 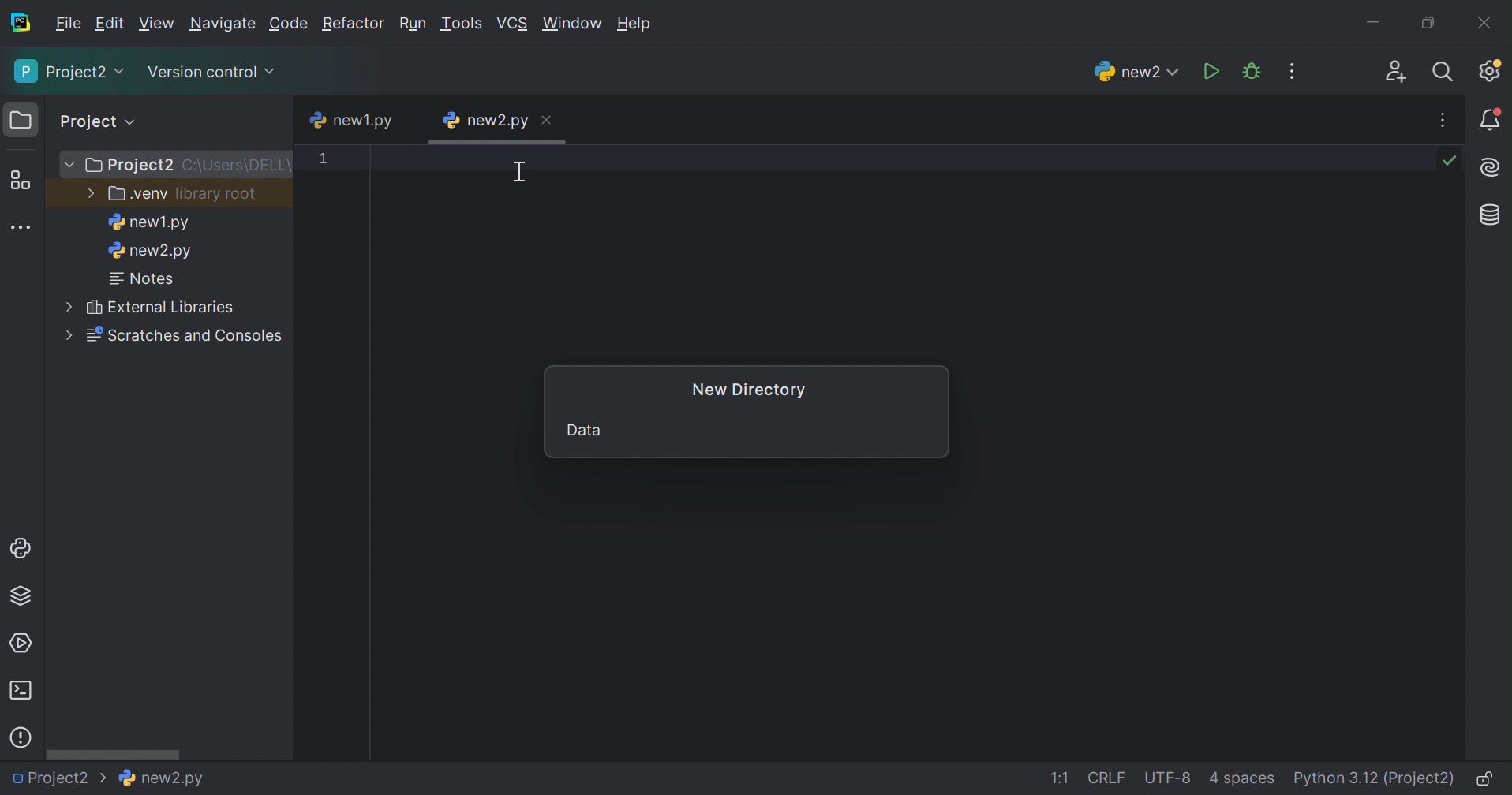 I want to click on new1.py, so click(x=354, y=118).